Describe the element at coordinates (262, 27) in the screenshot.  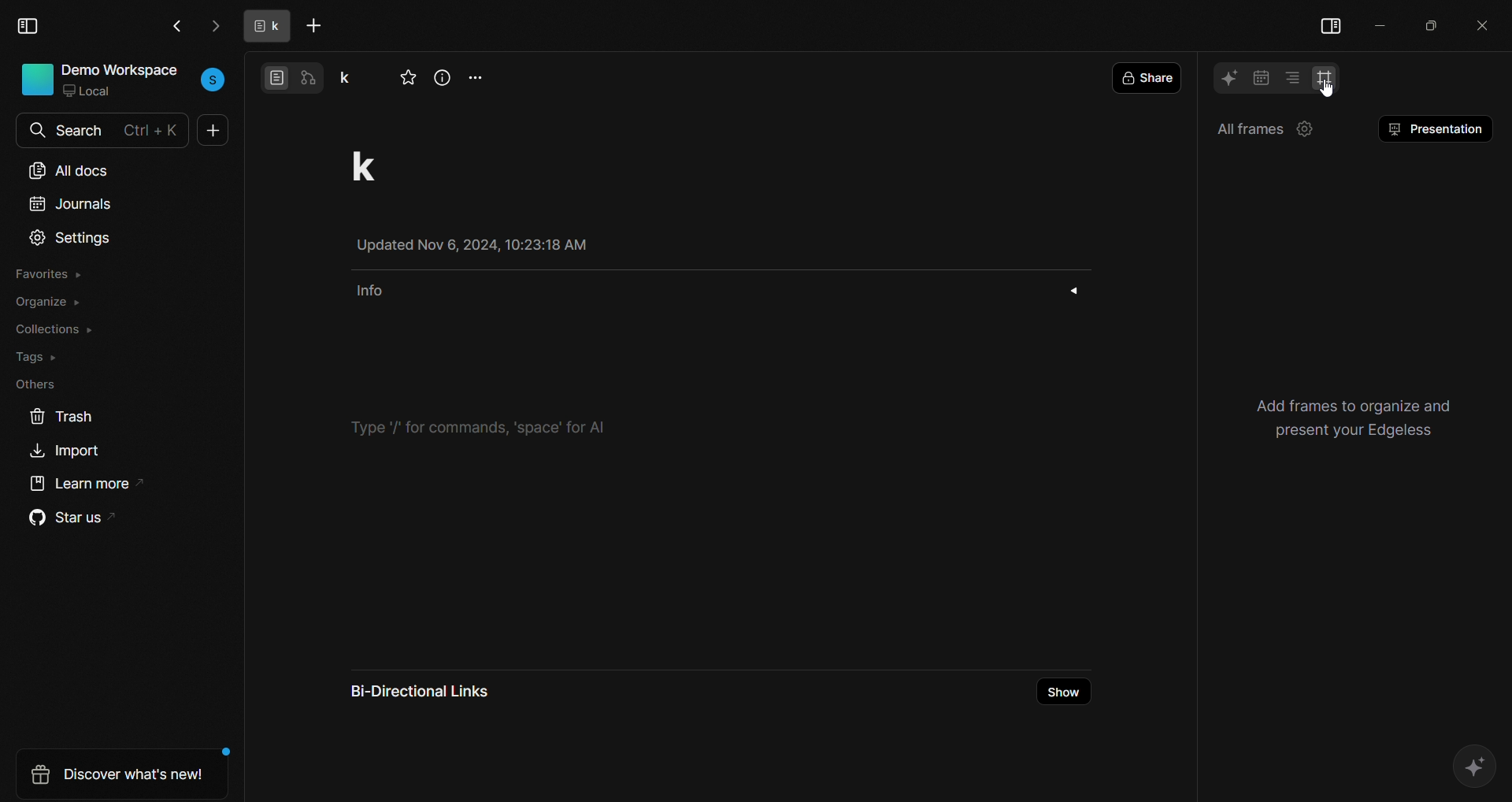
I see `tab name` at that location.